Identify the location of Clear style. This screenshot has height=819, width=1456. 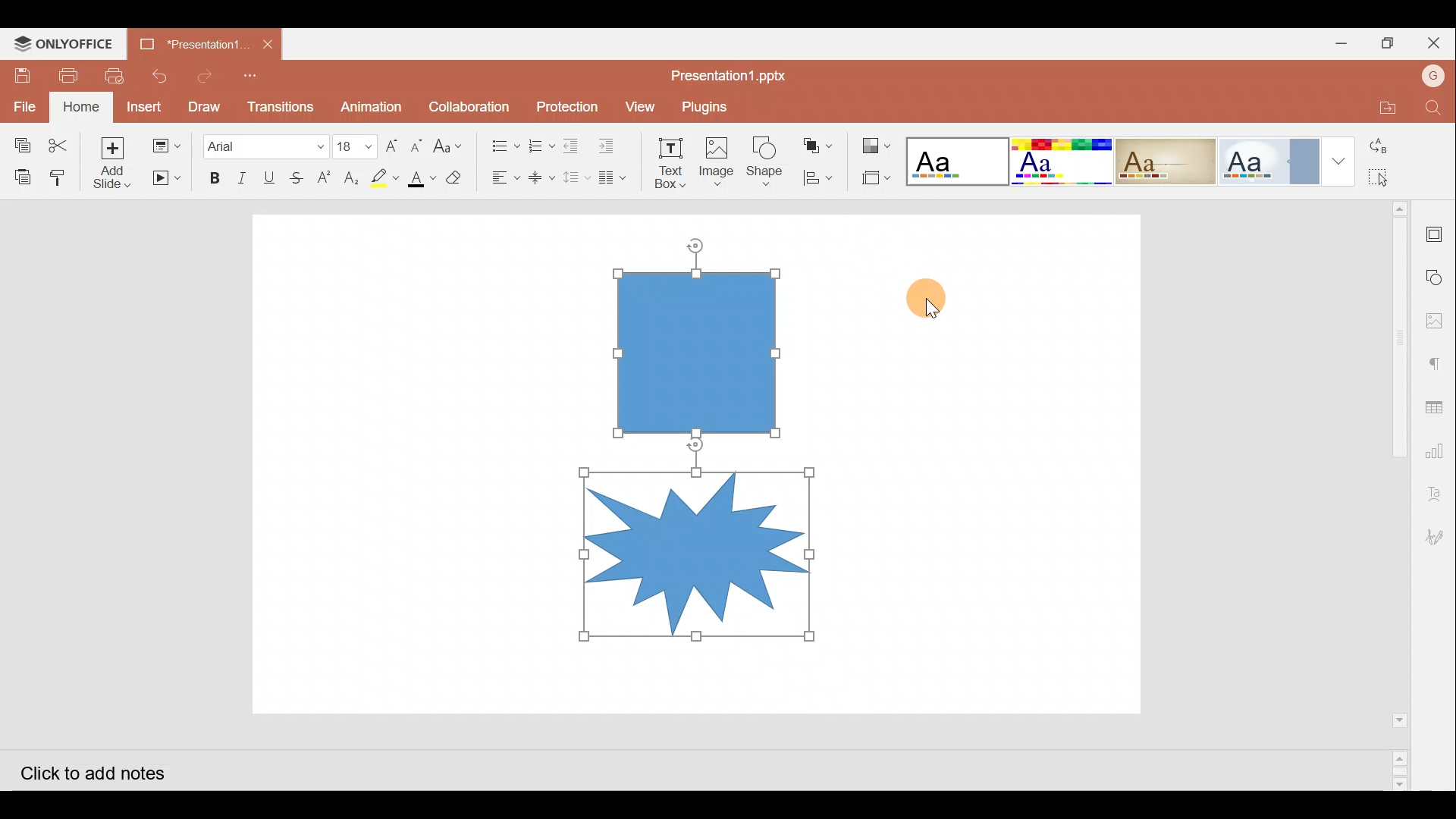
(456, 176).